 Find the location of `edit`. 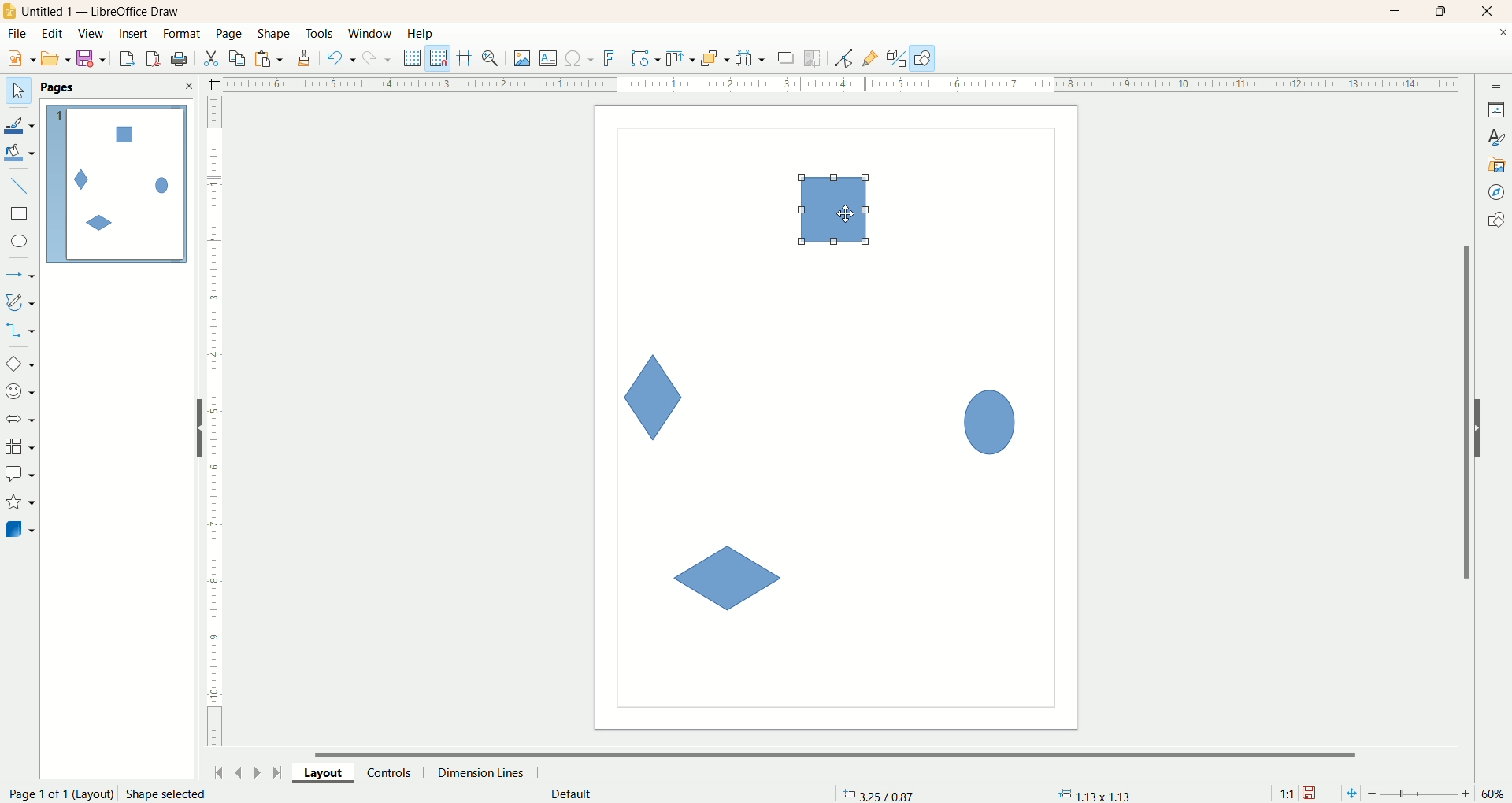

edit is located at coordinates (53, 35).